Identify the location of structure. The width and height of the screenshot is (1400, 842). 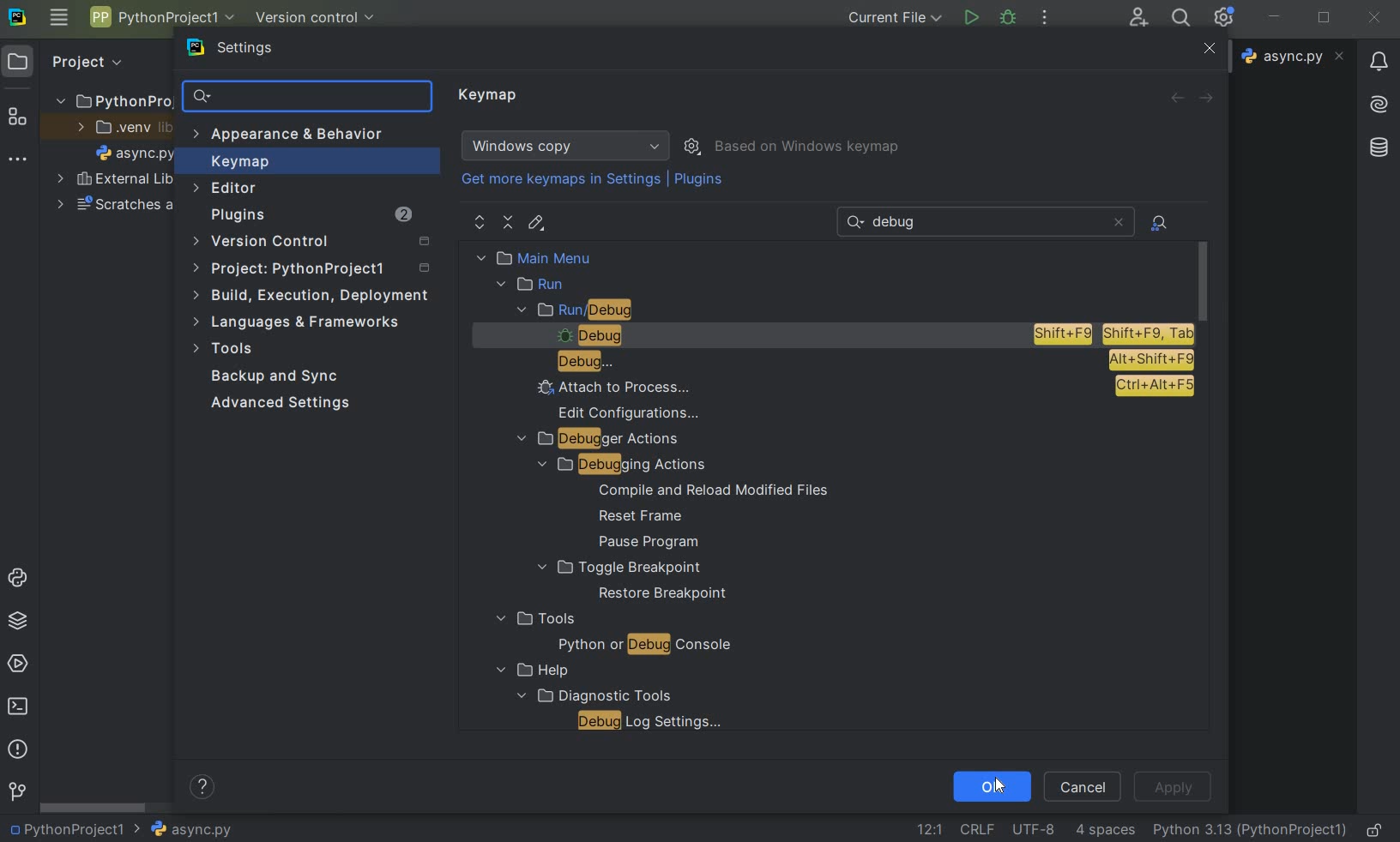
(18, 118).